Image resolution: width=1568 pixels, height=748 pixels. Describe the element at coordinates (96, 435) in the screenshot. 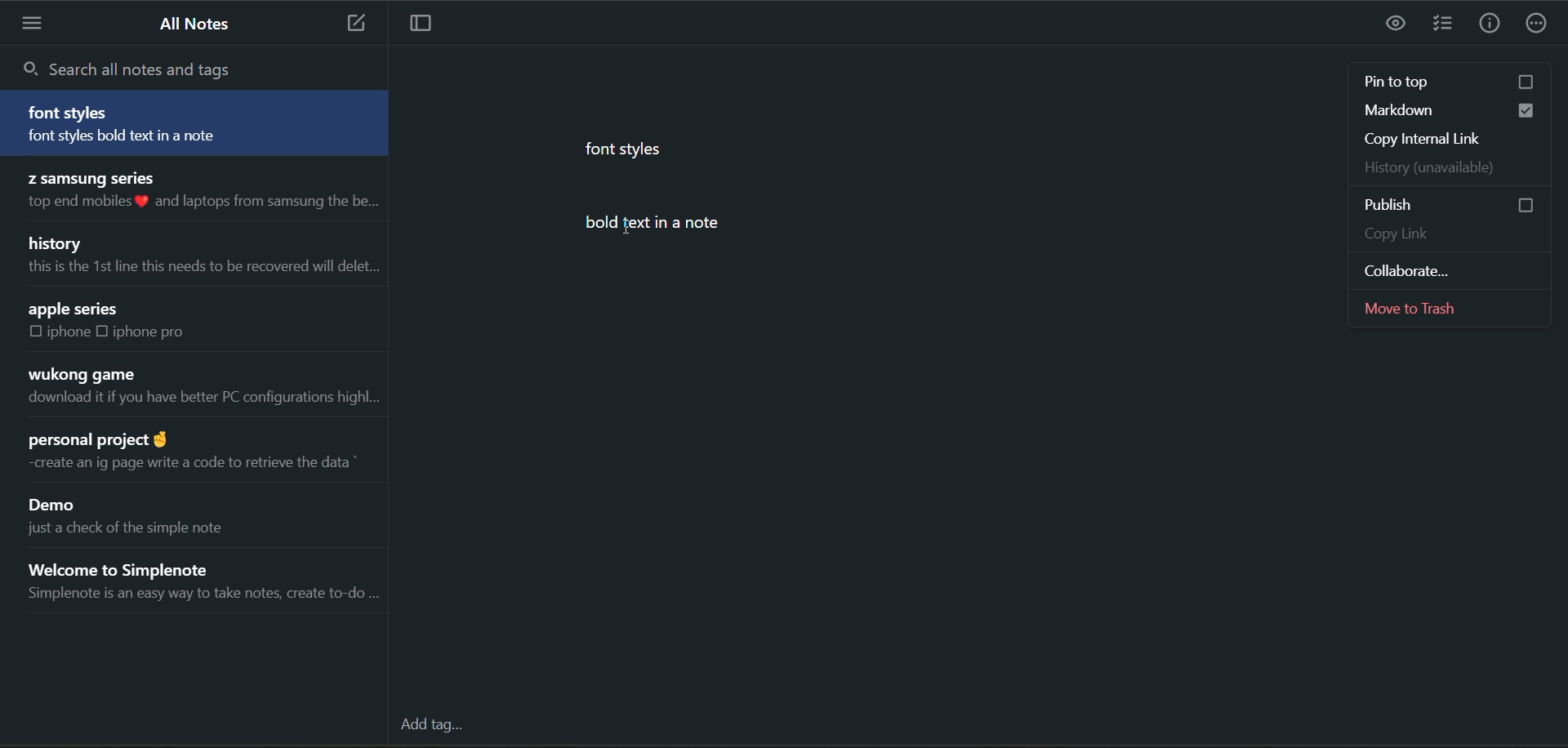

I see `personal project @` at that location.